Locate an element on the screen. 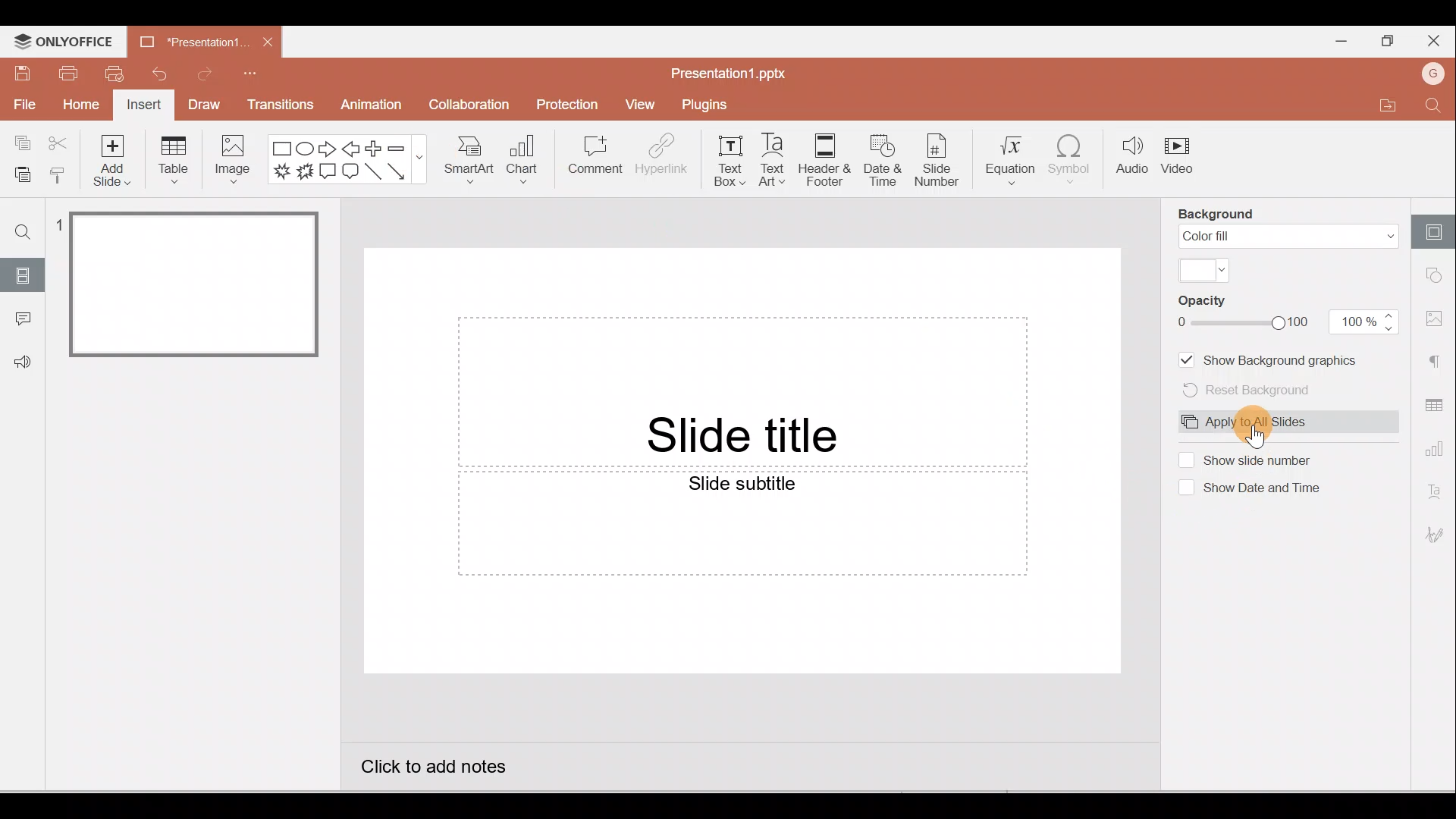  Show background images is located at coordinates (1272, 359).